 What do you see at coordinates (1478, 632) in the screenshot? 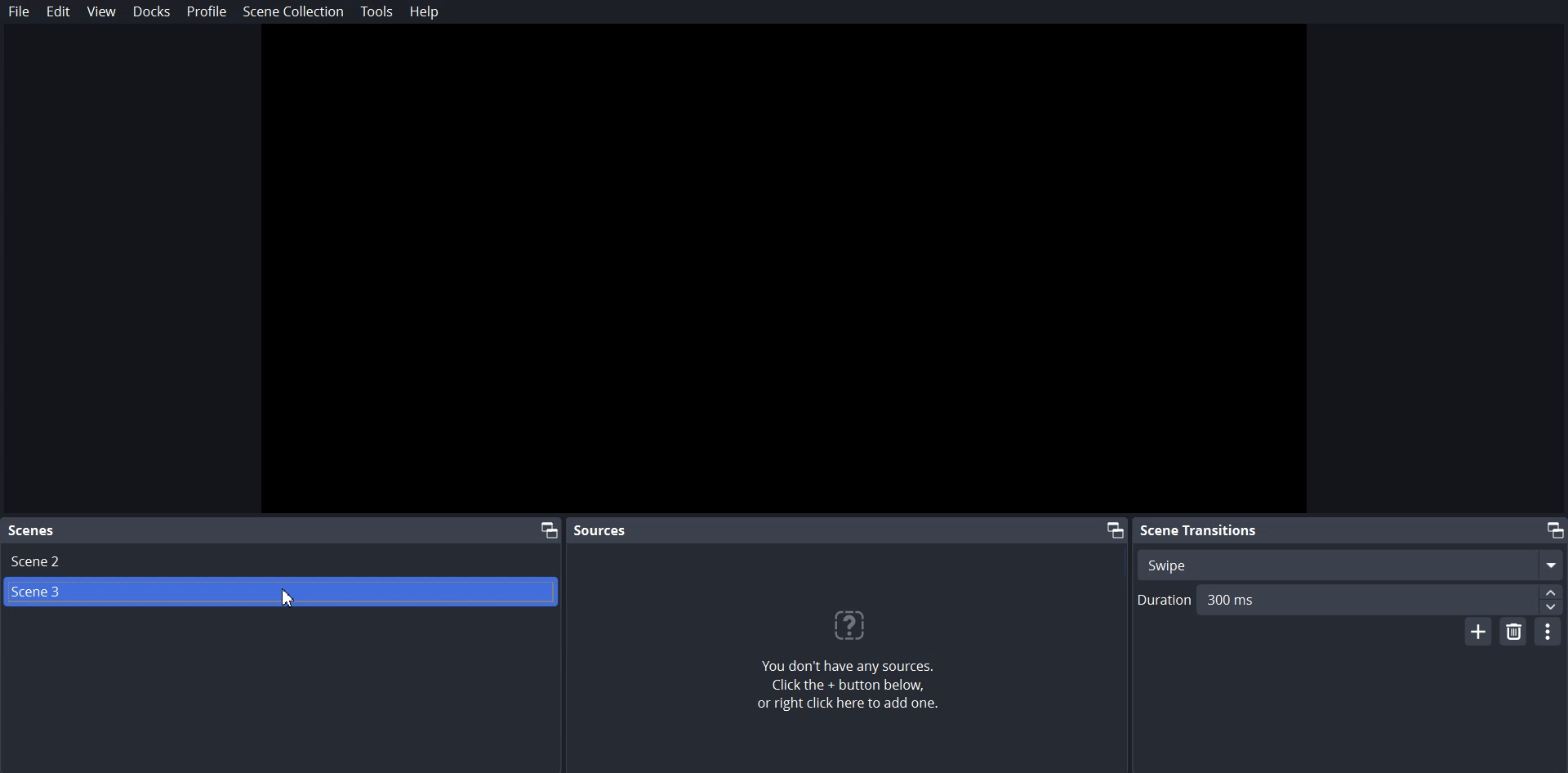
I see `Add Scene Transition` at bounding box center [1478, 632].